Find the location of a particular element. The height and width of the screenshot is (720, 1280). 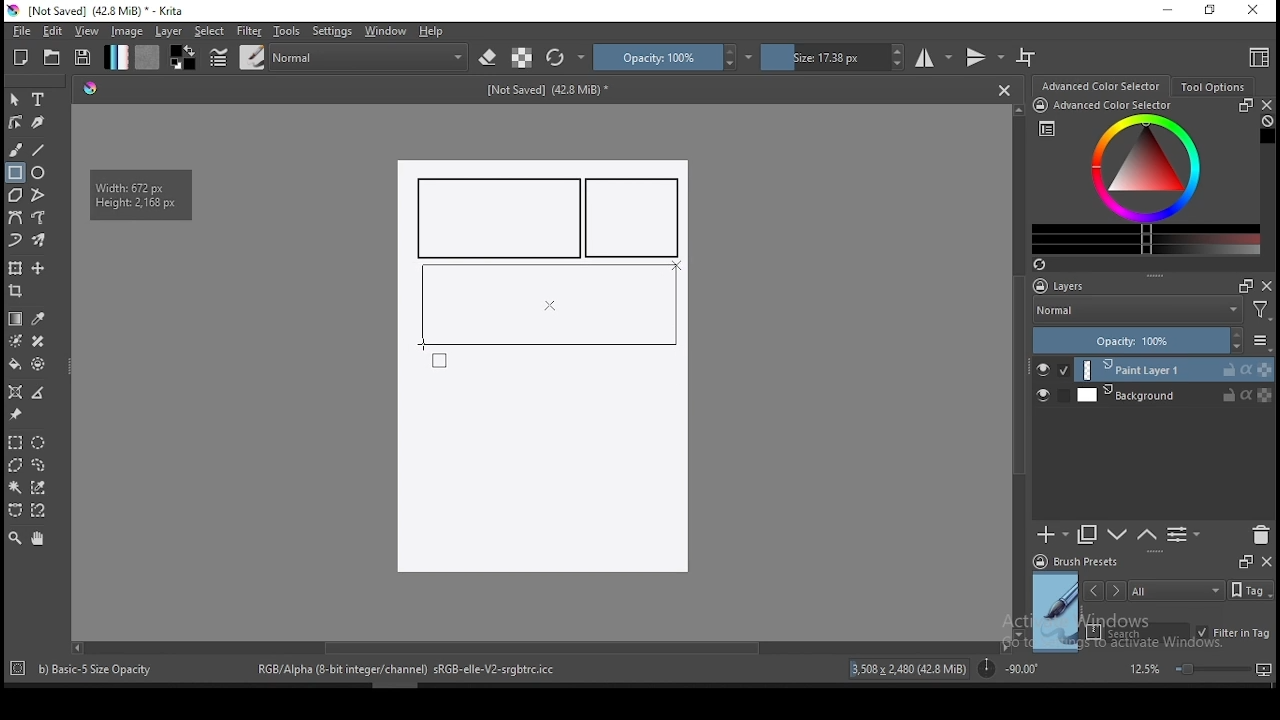

tags is located at coordinates (1176, 590).